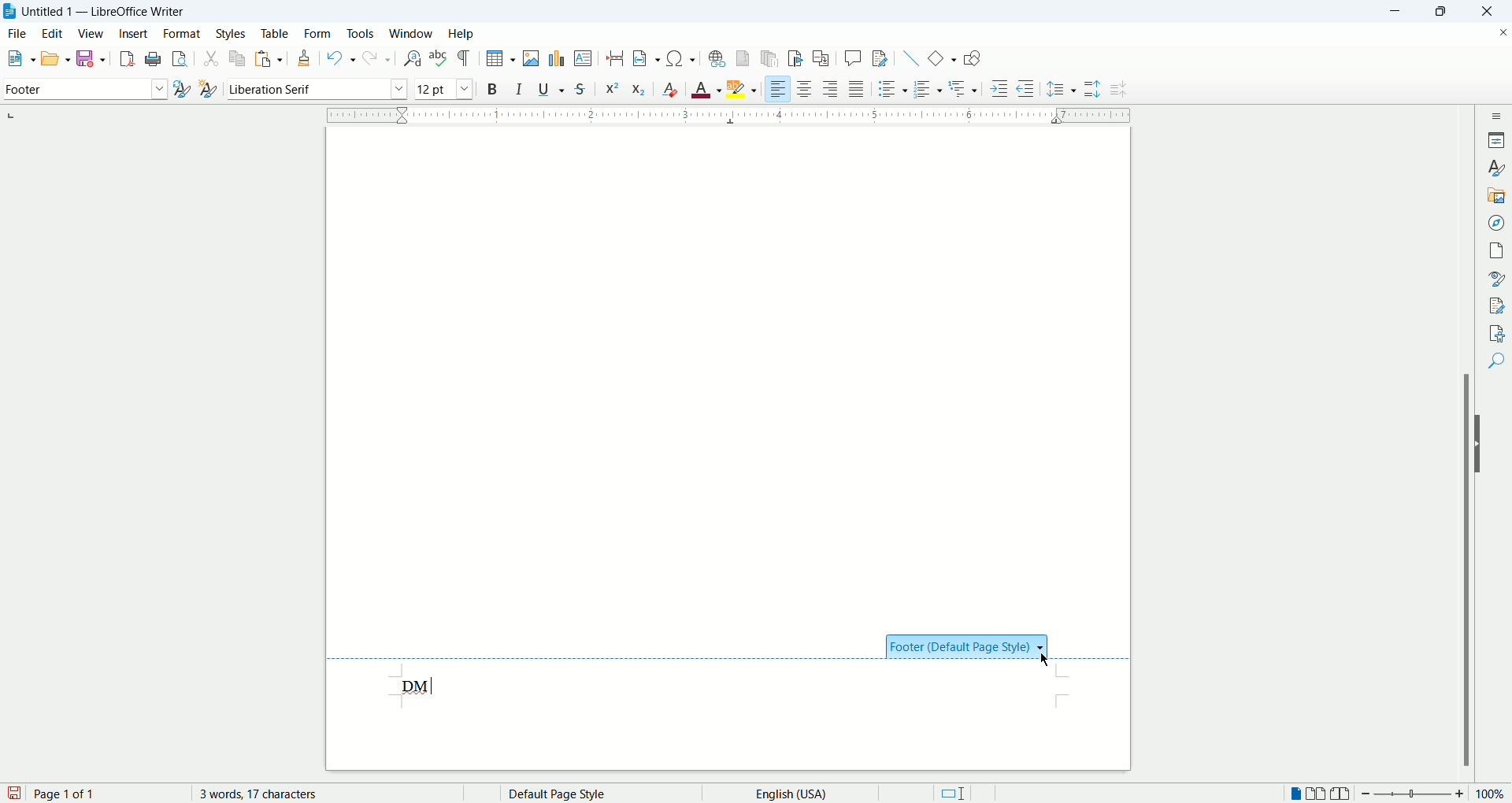  Describe the element at coordinates (233, 33) in the screenshot. I see `styles` at that location.